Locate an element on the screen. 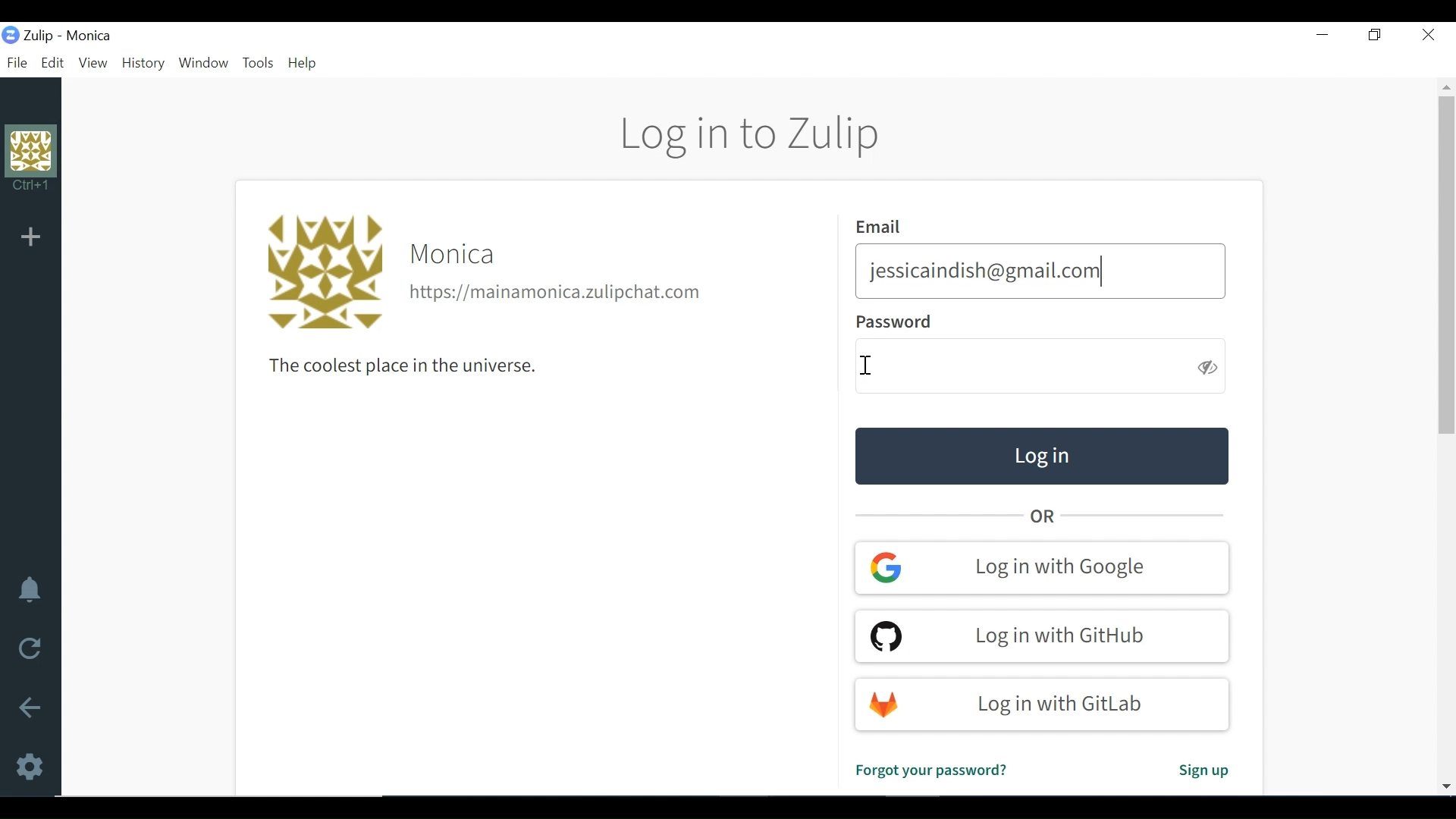  minimize is located at coordinates (1322, 35).